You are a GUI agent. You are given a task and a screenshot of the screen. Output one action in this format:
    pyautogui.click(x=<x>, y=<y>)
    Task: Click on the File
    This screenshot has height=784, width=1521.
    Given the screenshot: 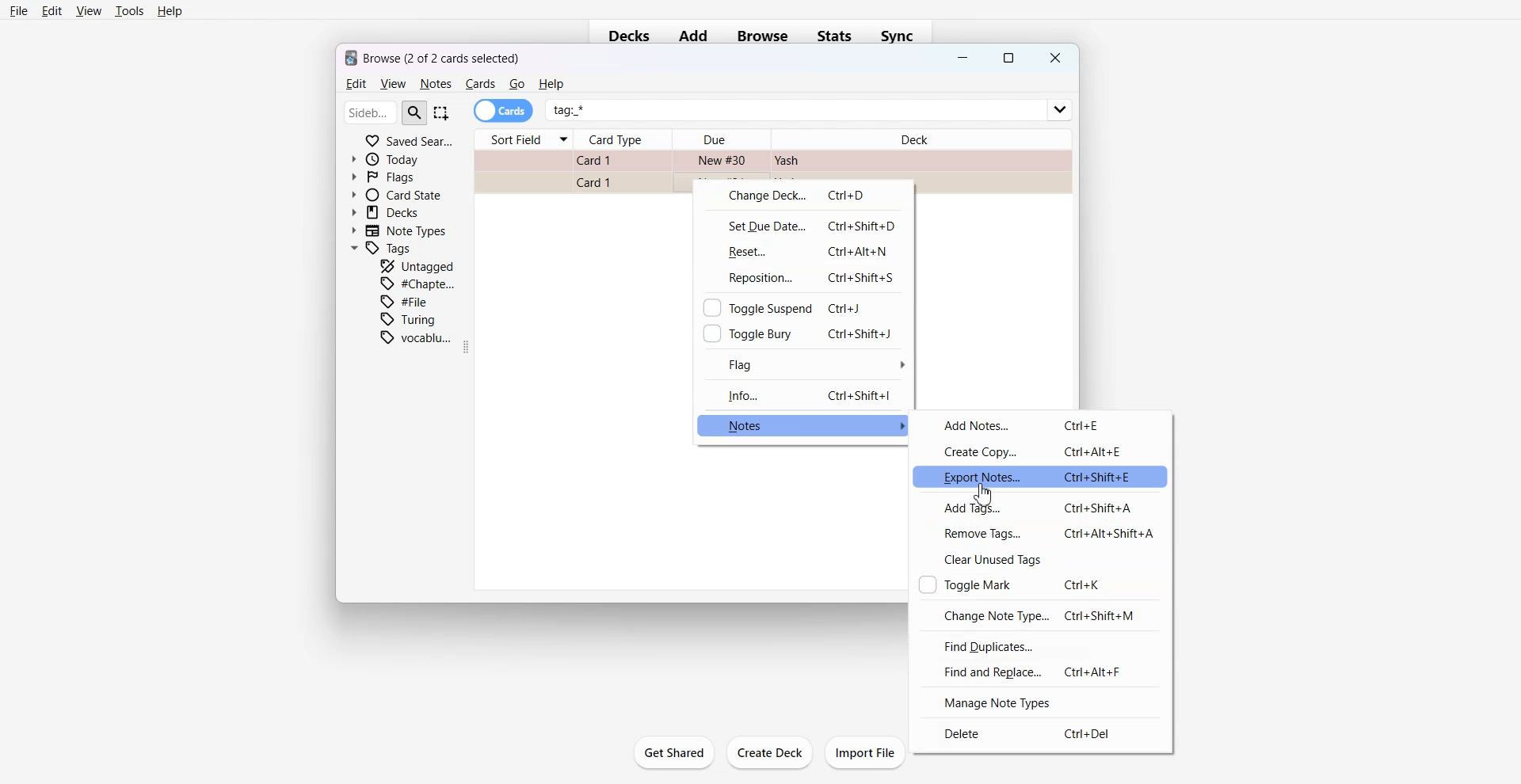 What is the action you would take?
    pyautogui.click(x=19, y=10)
    